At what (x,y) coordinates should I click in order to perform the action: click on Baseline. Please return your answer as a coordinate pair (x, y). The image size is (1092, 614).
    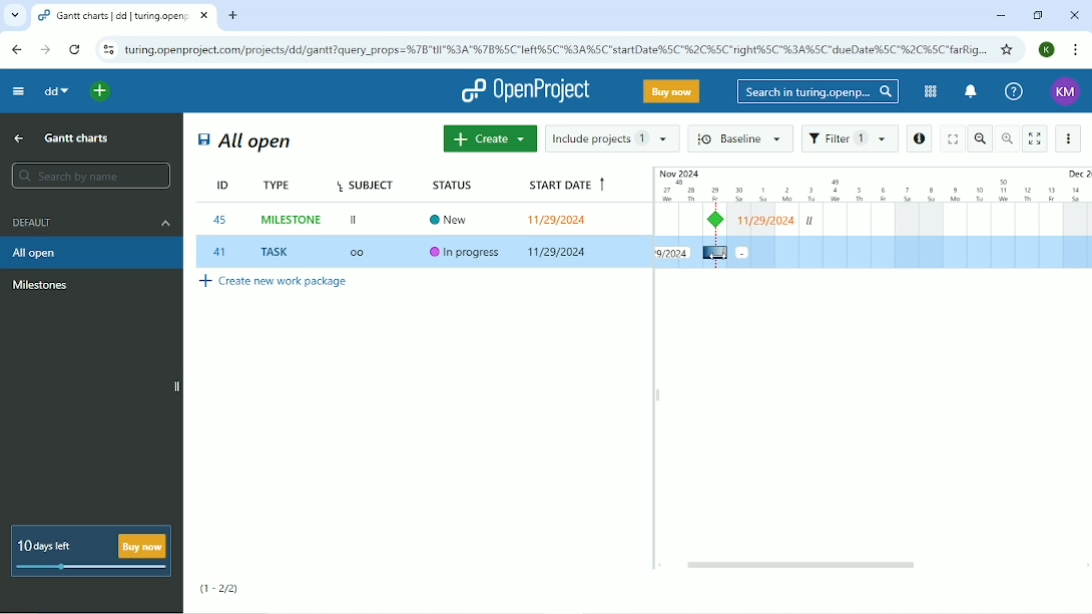
    Looking at the image, I should click on (741, 138).